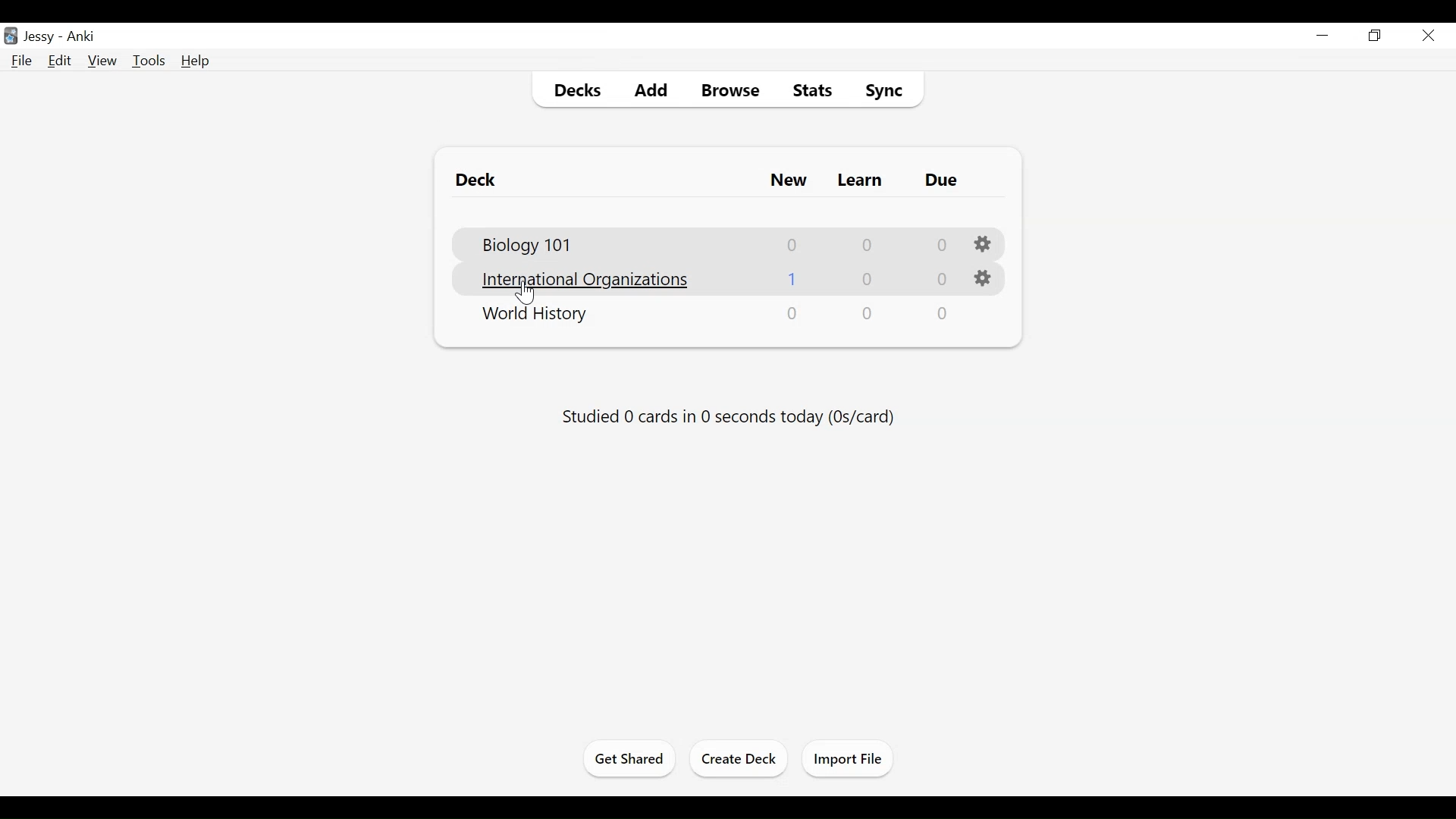  What do you see at coordinates (797, 278) in the screenshot?
I see `1` at bounding box center [797, 278].